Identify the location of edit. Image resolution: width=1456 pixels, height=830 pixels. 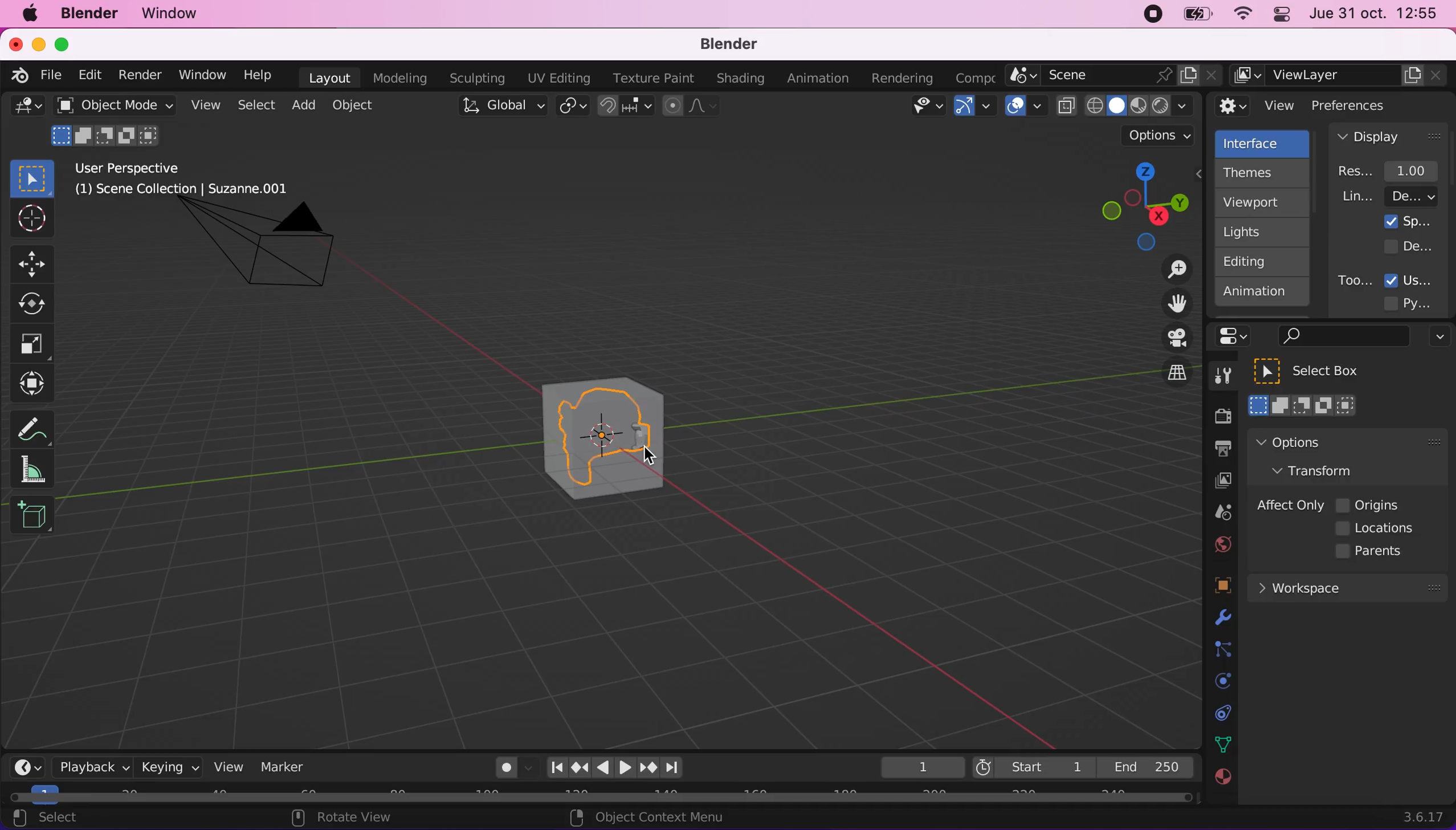
(87, 75).